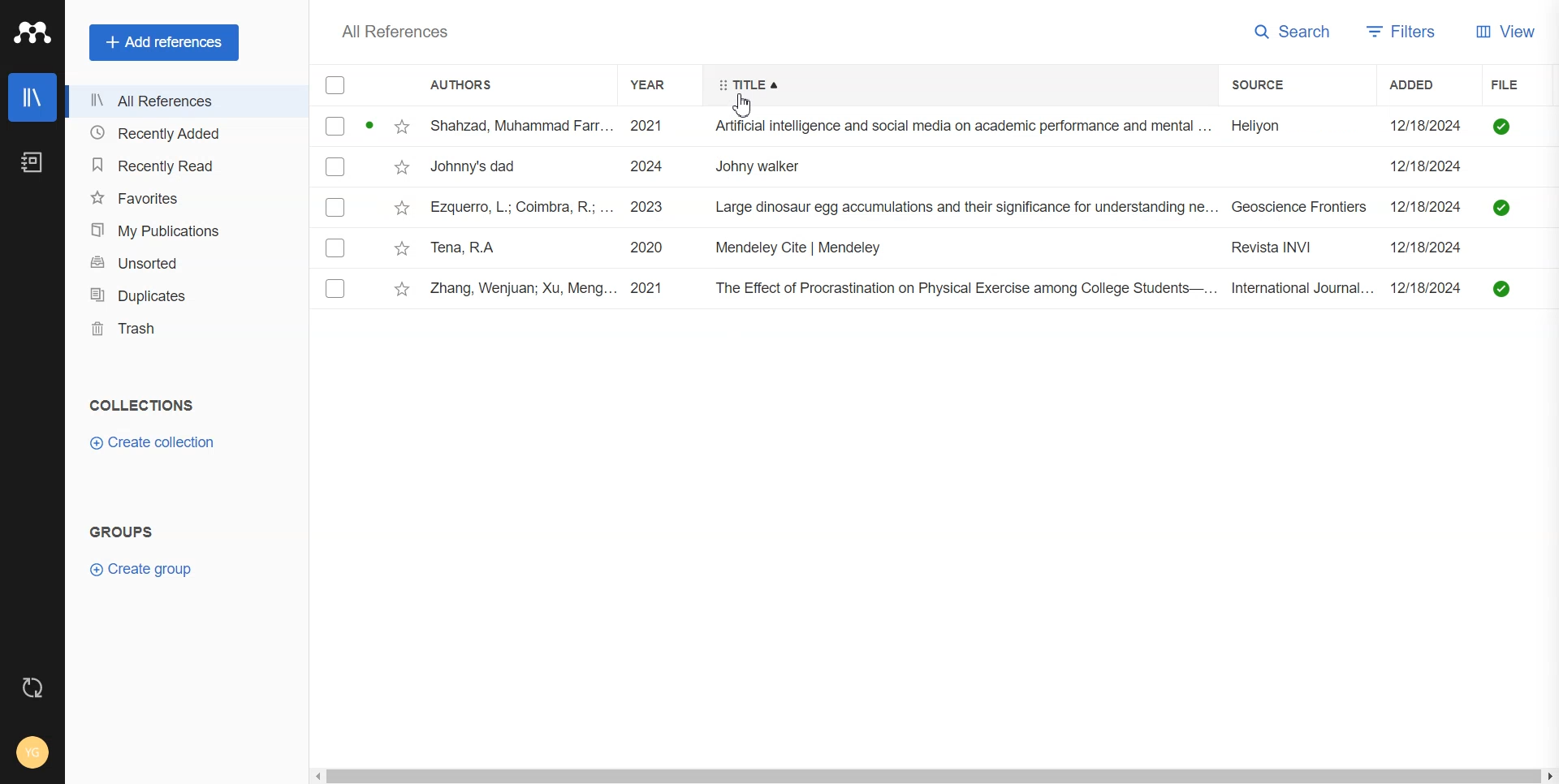  Describe the element at coordinates (31, 33) in the screenshot. I see `Logo` at that location.